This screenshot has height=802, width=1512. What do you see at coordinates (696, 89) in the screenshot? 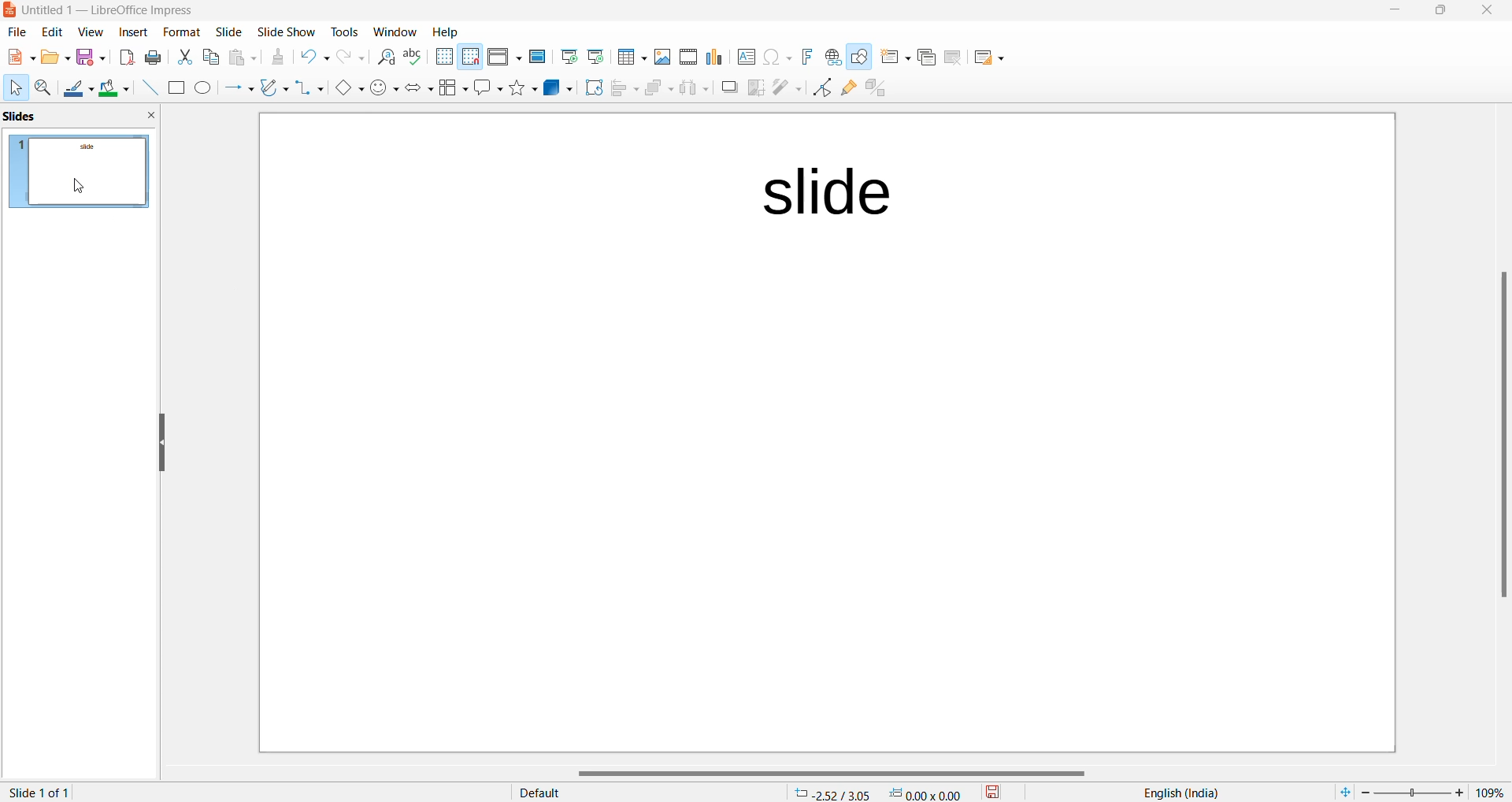
I see `object distribution` at bounding box center [696, 89].